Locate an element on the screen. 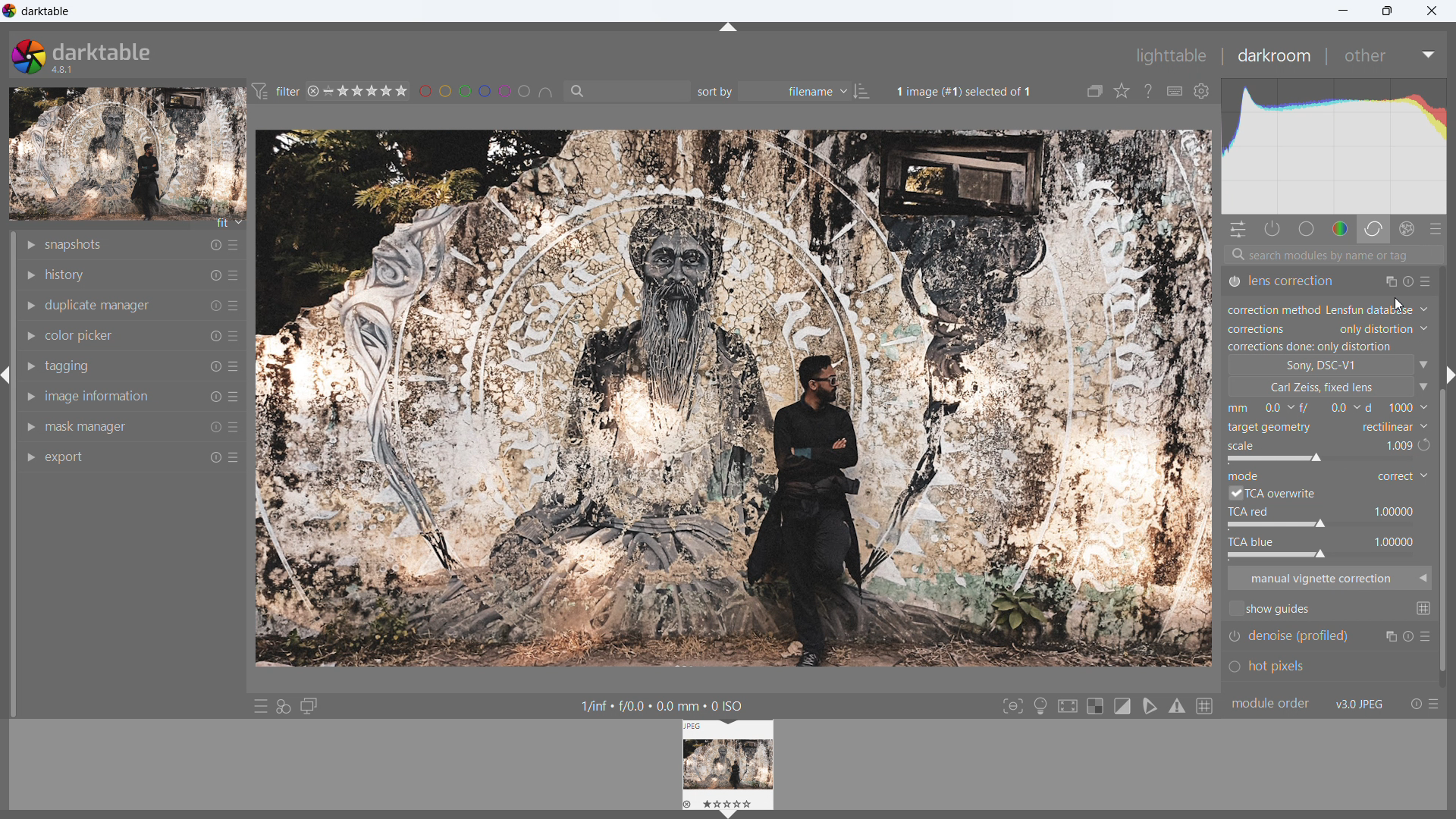 This screenshot has height=819, width=1456. target geometry is located at coordinates (1272, 427).